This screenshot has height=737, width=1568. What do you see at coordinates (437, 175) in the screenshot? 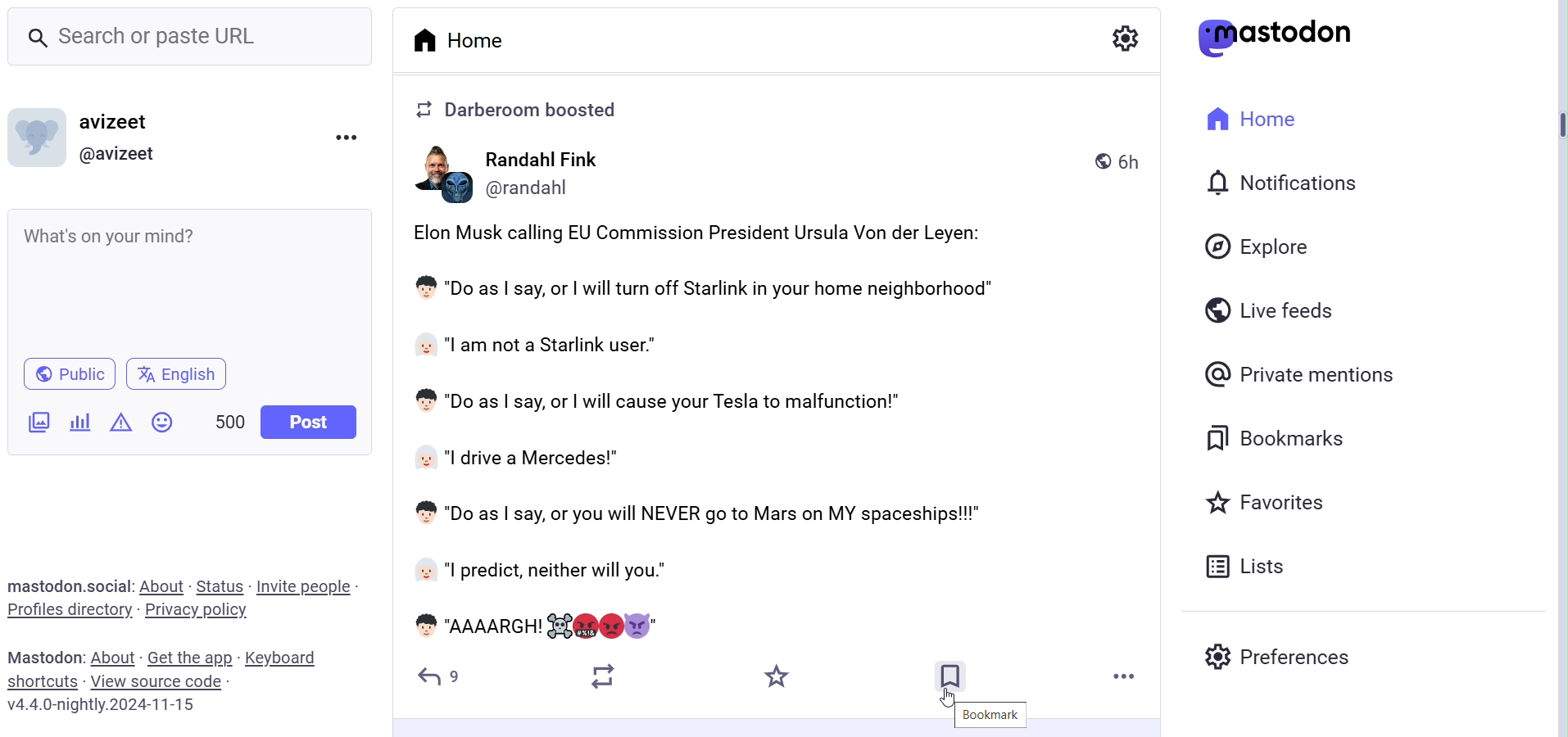
I see `PS` at bounding box center [437, 175].